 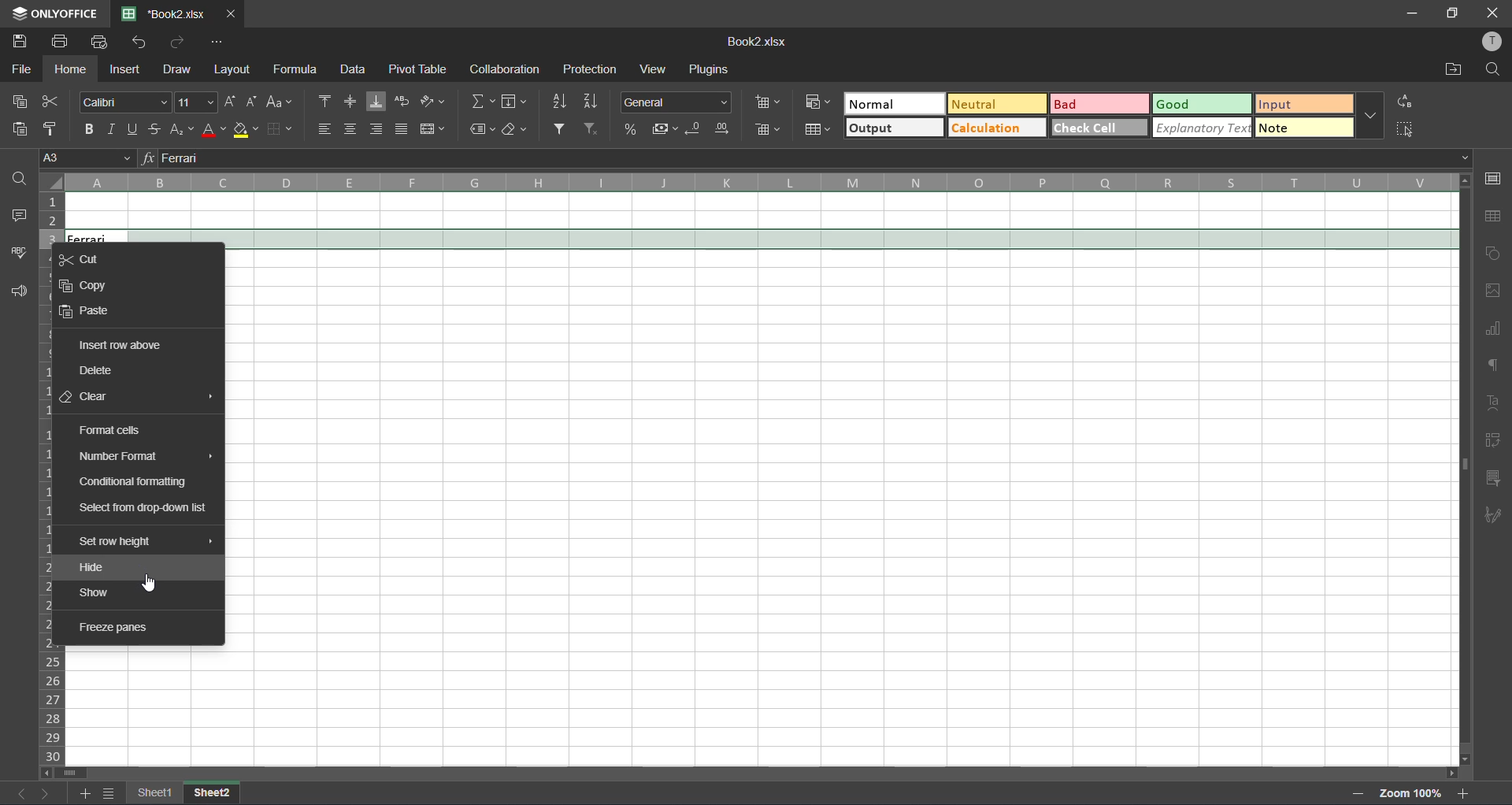 I want to click on open location, so click(x=1447, y=69).